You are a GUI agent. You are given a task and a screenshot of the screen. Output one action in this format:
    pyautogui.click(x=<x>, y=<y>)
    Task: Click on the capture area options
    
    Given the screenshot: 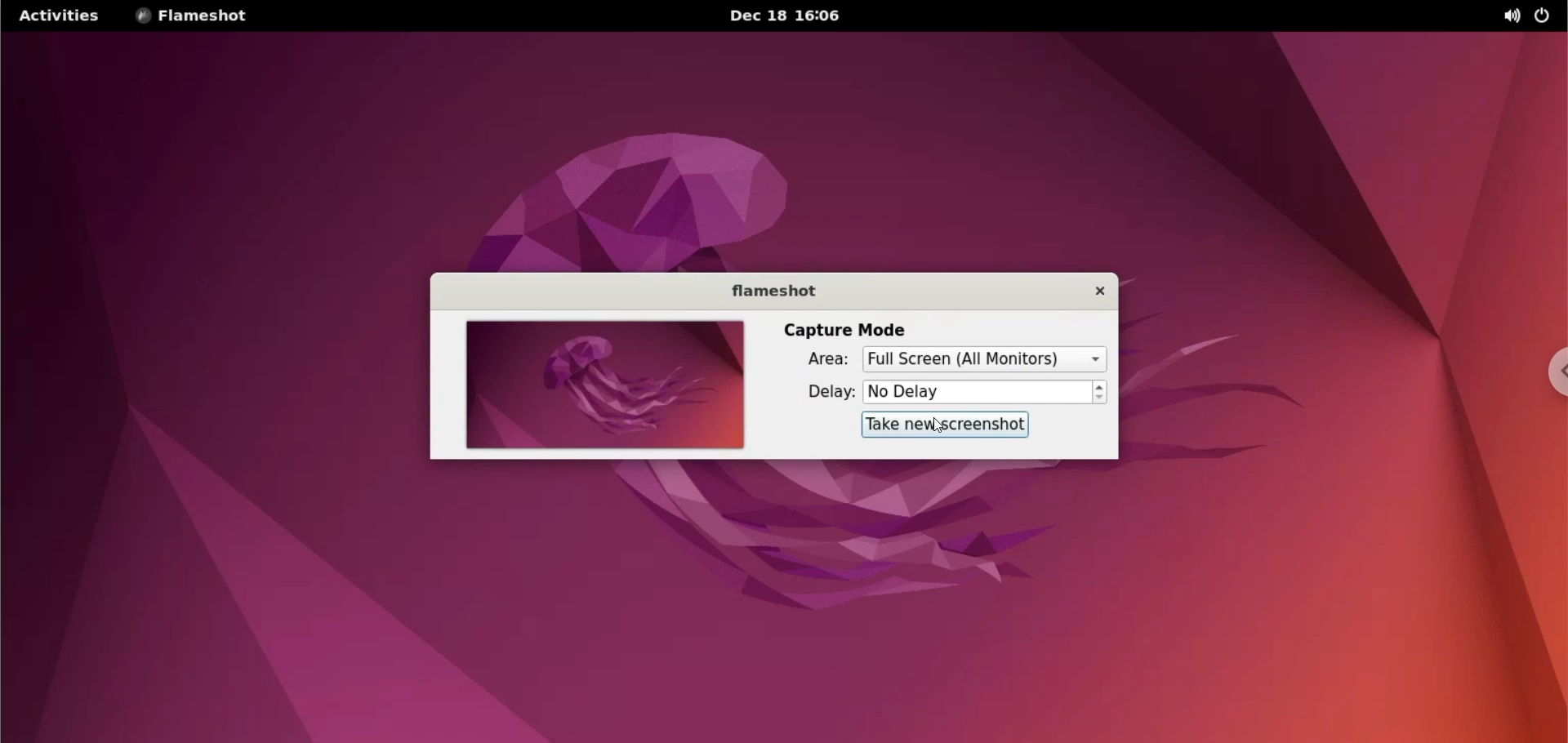 What is the action you would take?
    pyautogui.click(x=982, y=359)
    